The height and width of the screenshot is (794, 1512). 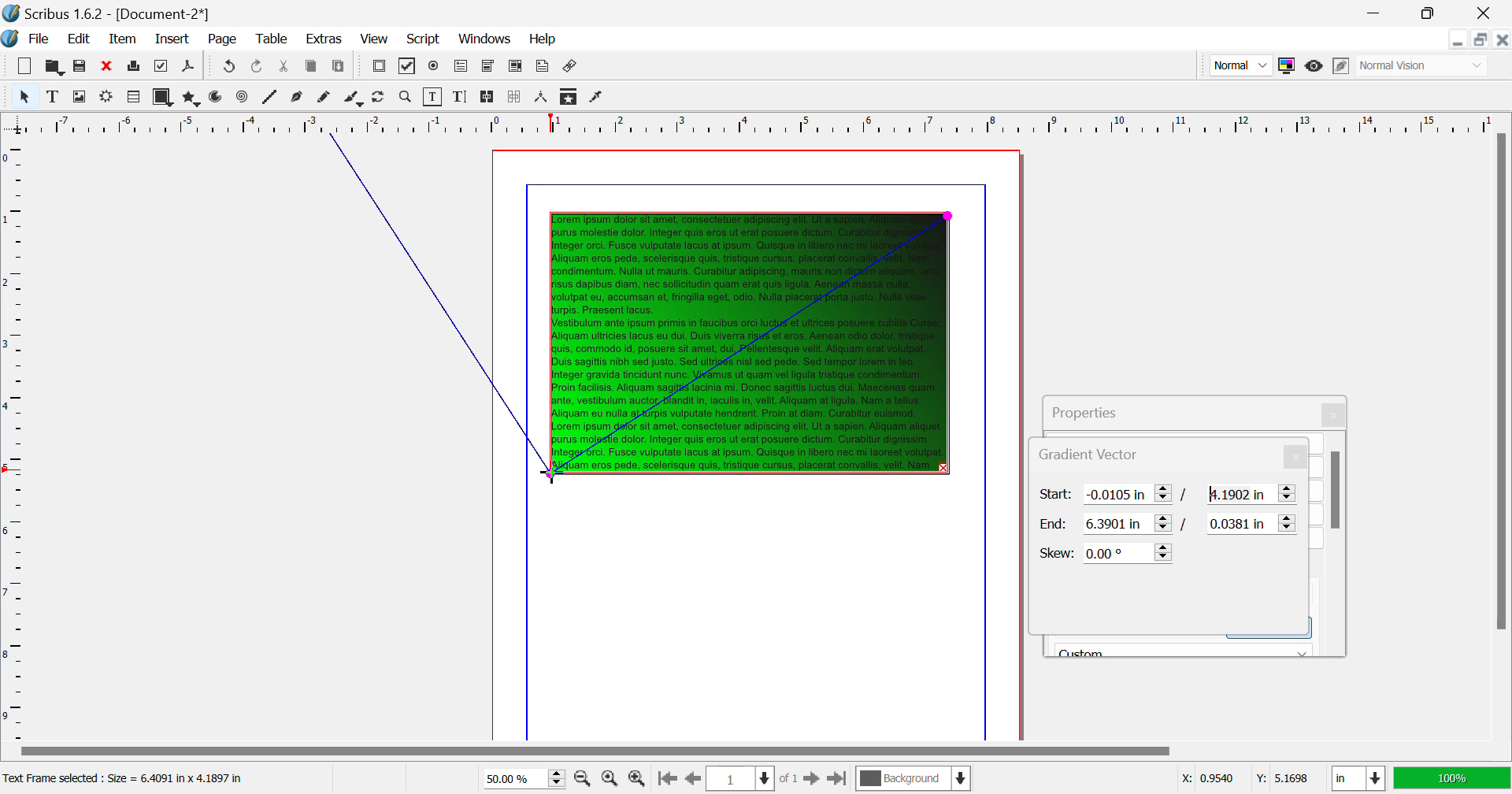 What do you see at coordinates (1298, 457) in the screenshot?
I see `Close` at bounding box center [1298, 457].